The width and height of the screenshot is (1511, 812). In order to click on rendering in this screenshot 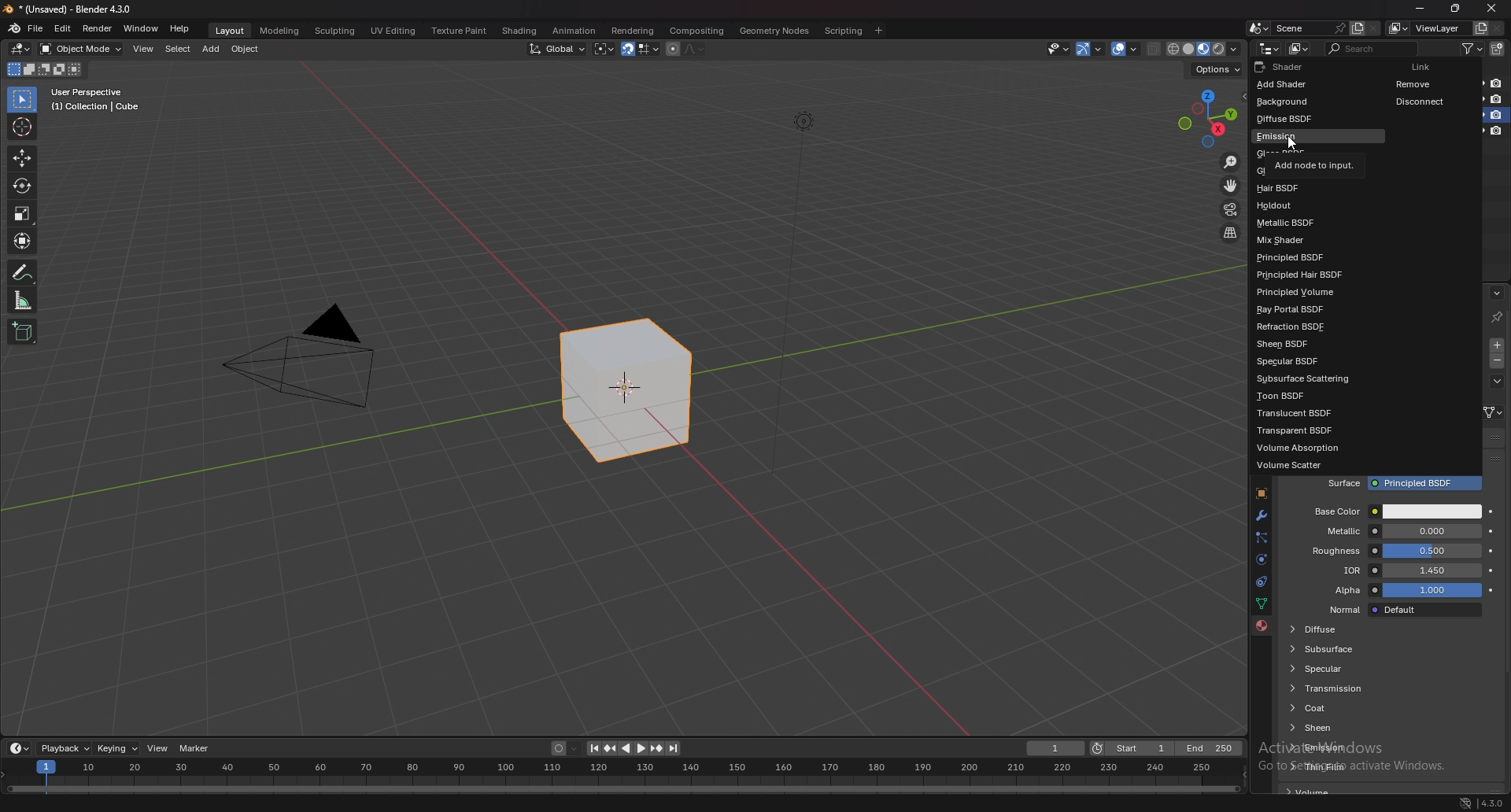, I will do `click(631, 30)`.